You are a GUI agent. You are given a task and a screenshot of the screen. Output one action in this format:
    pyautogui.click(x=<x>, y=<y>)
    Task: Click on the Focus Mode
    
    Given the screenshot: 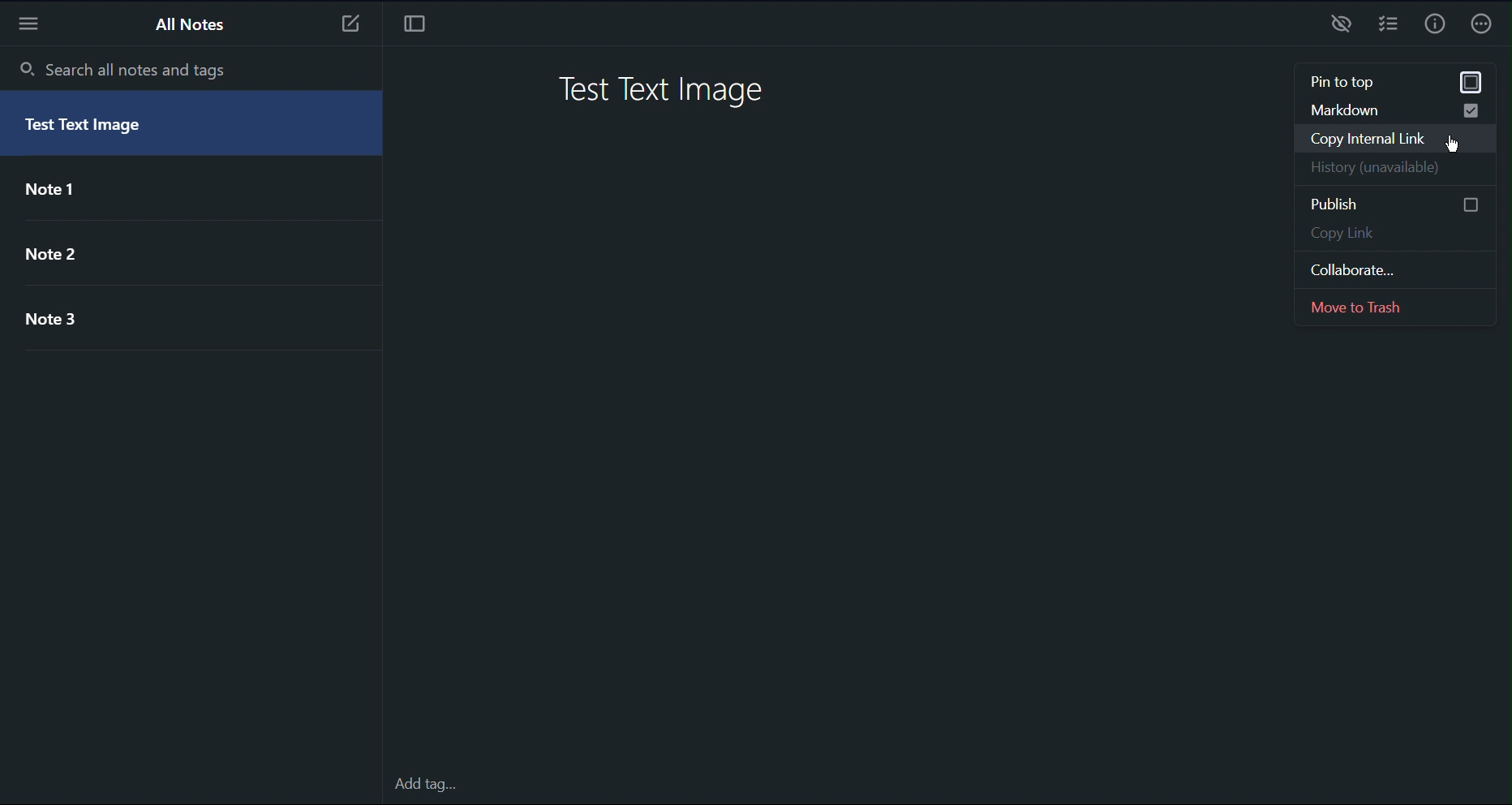 What is the action you would take?
    pyautogui.click(x=415, y=28)
    